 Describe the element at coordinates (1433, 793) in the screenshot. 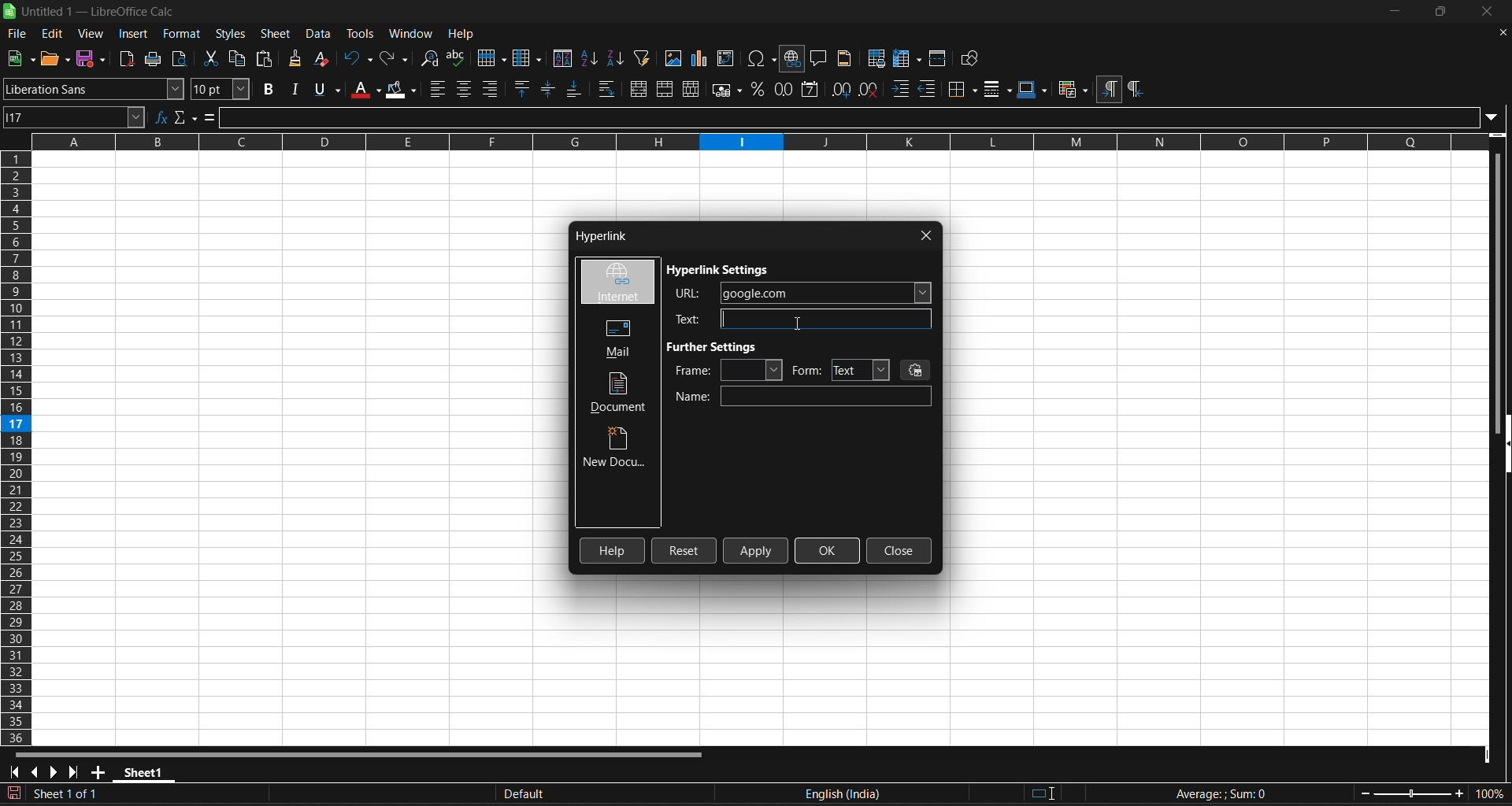

I see `zoom factor` at that location.